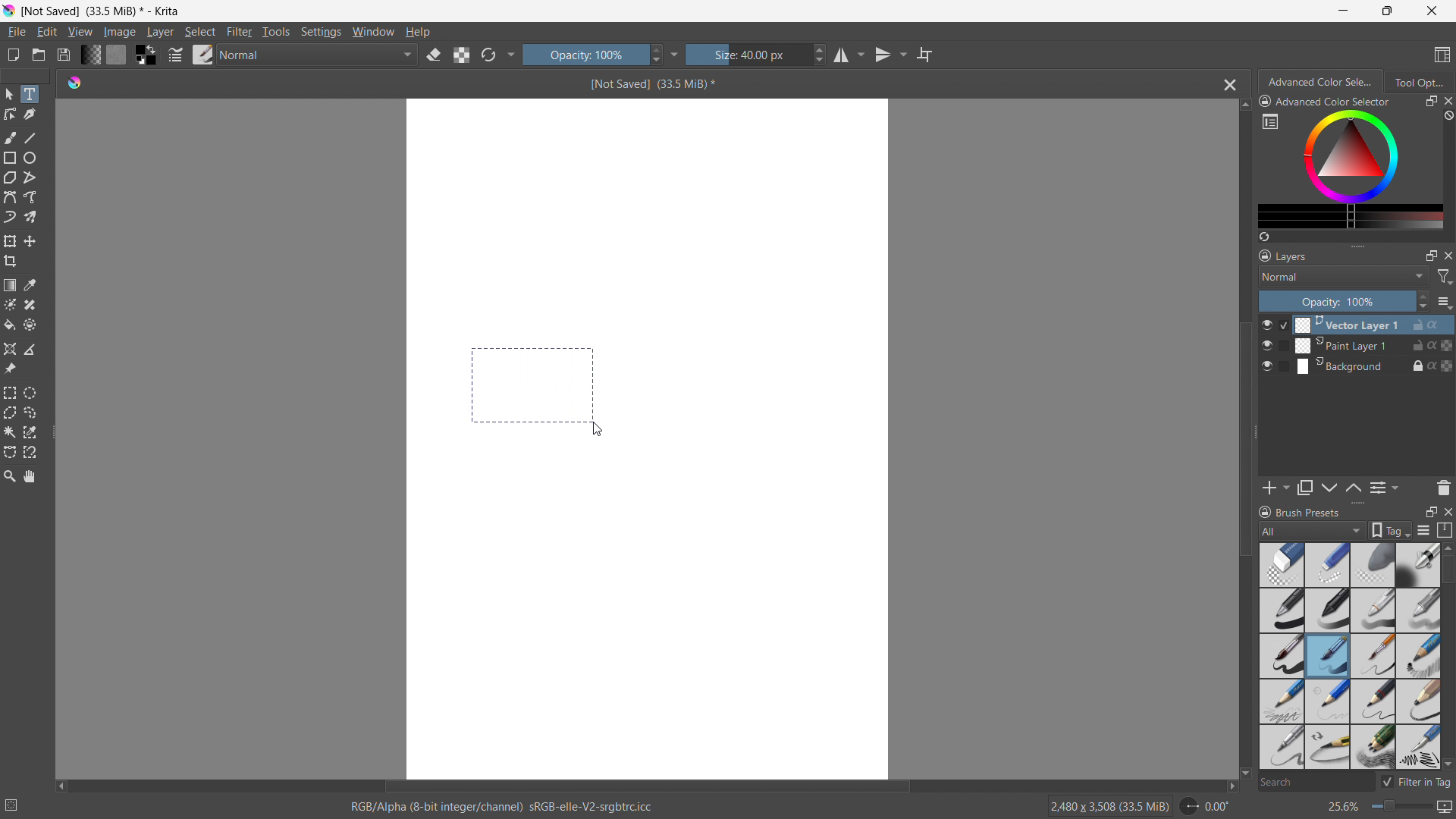  What do you see at coordinates (90, 54) in the screenshot?
I see `fill gradients` at bounding box center [90, 54].